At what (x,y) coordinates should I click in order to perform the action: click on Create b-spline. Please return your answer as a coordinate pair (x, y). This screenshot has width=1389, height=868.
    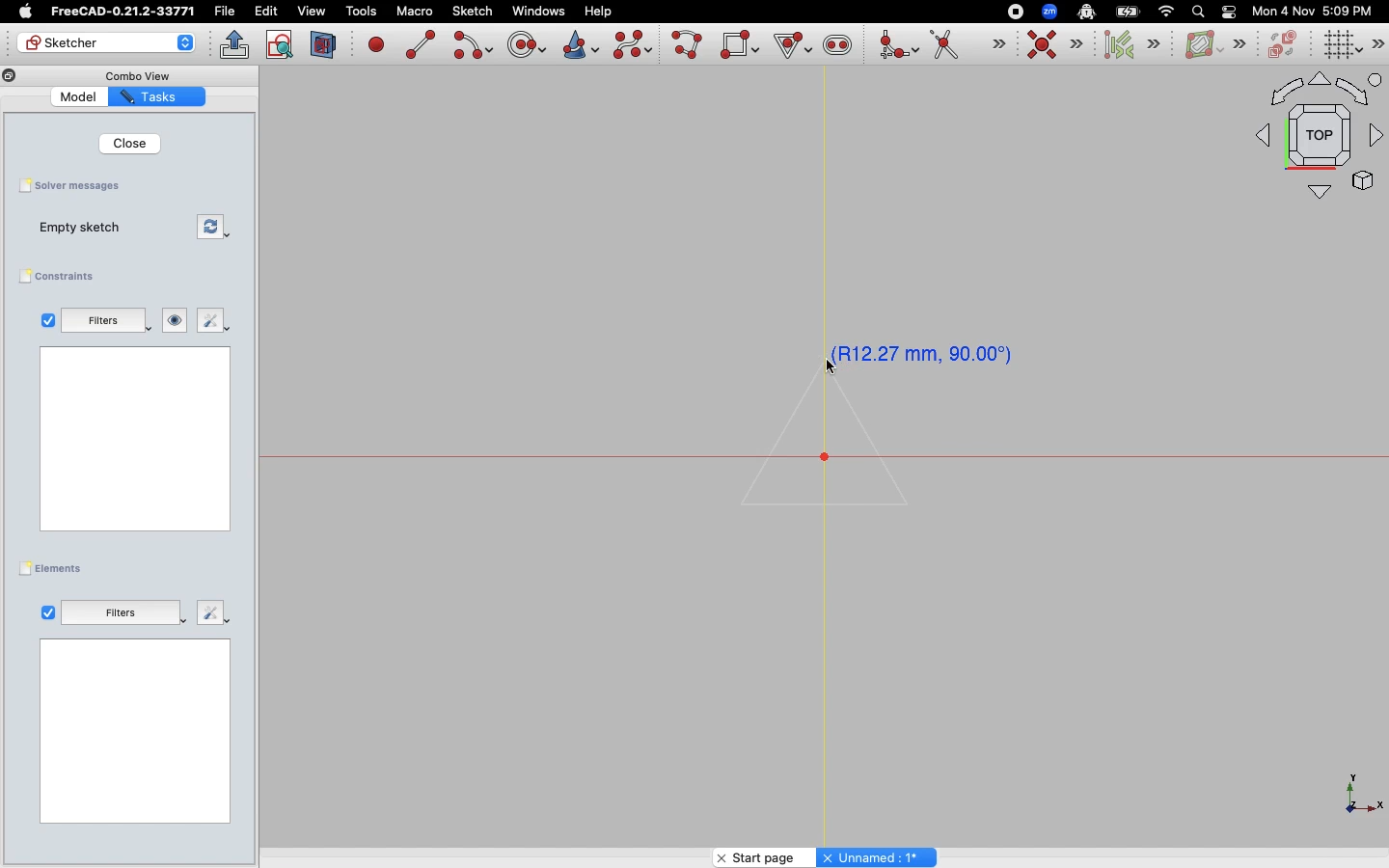
    Looking at the image, I should click on (633, 44).